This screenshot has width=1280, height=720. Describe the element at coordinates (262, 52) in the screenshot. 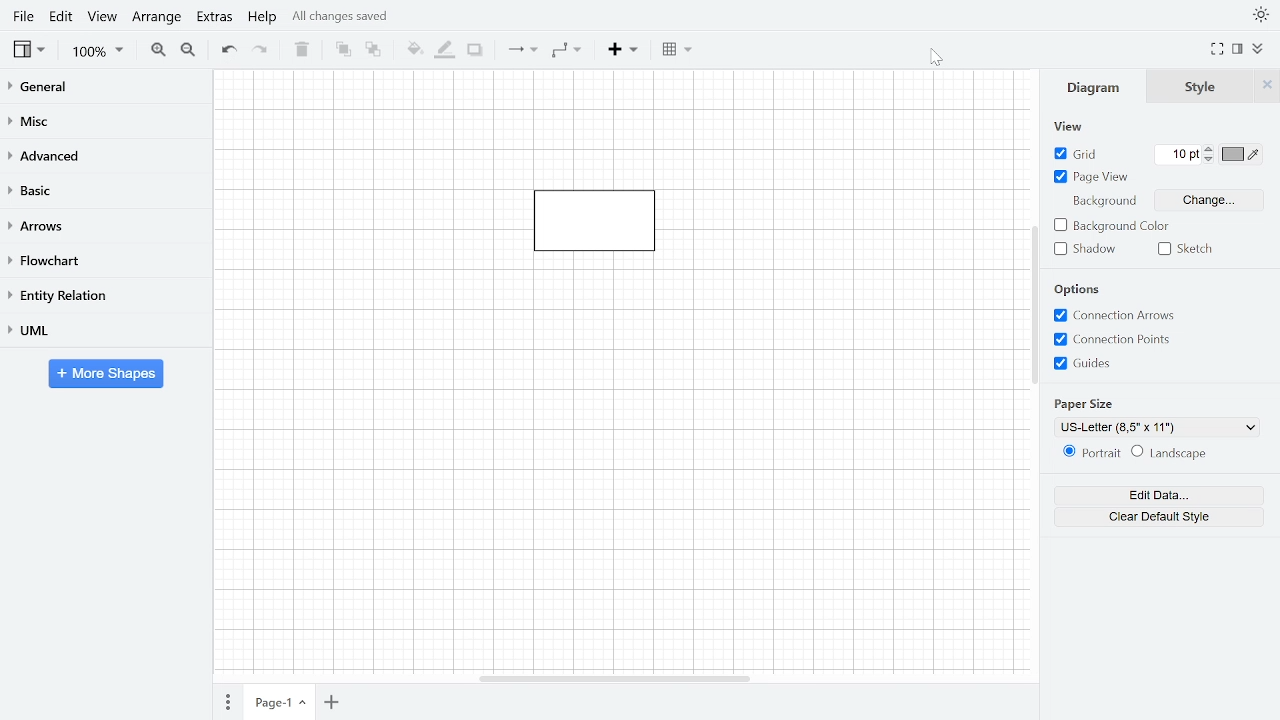

I see `redo` at that location.